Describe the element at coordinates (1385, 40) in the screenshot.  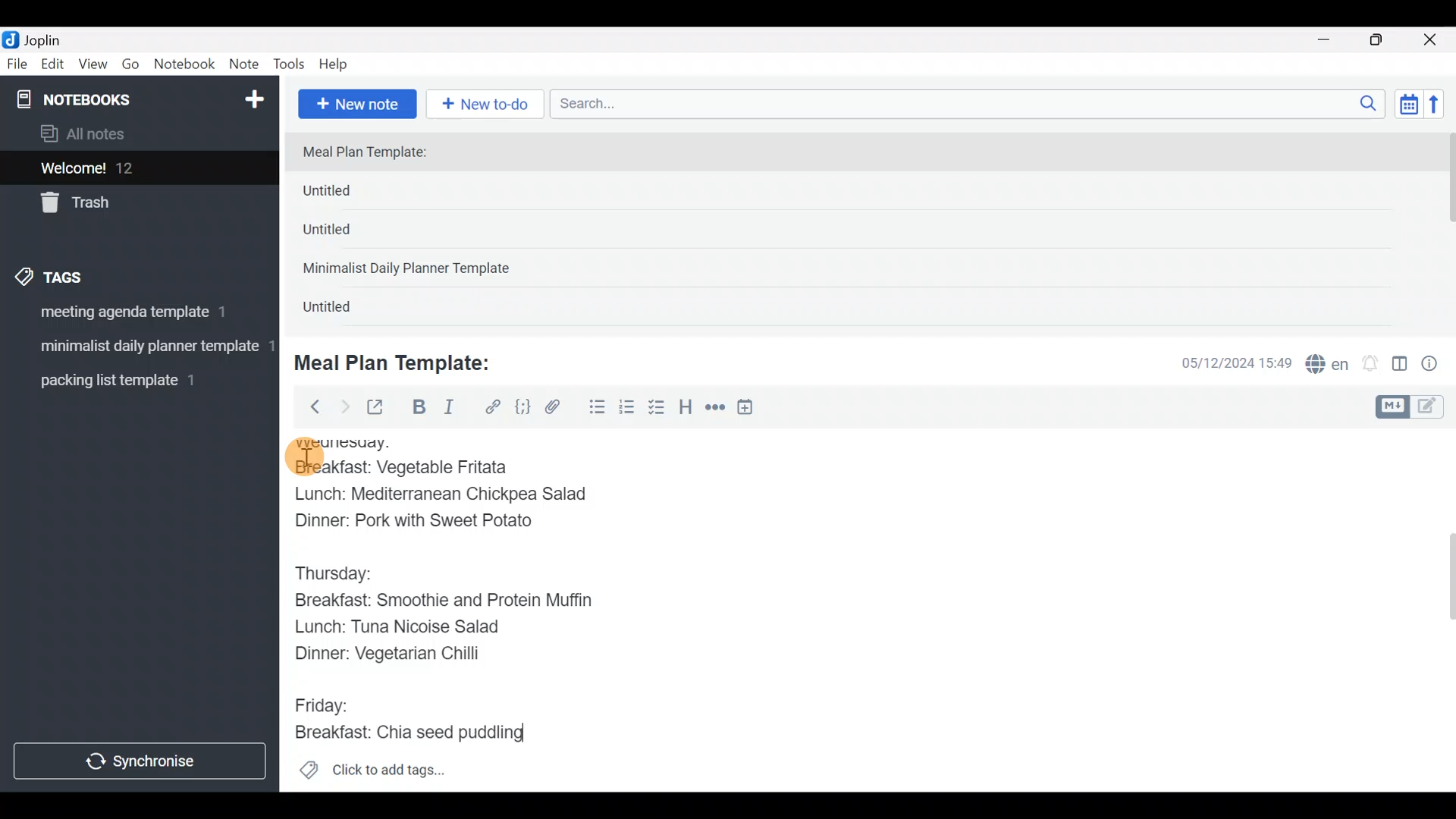
I see `Maximize` at that location.